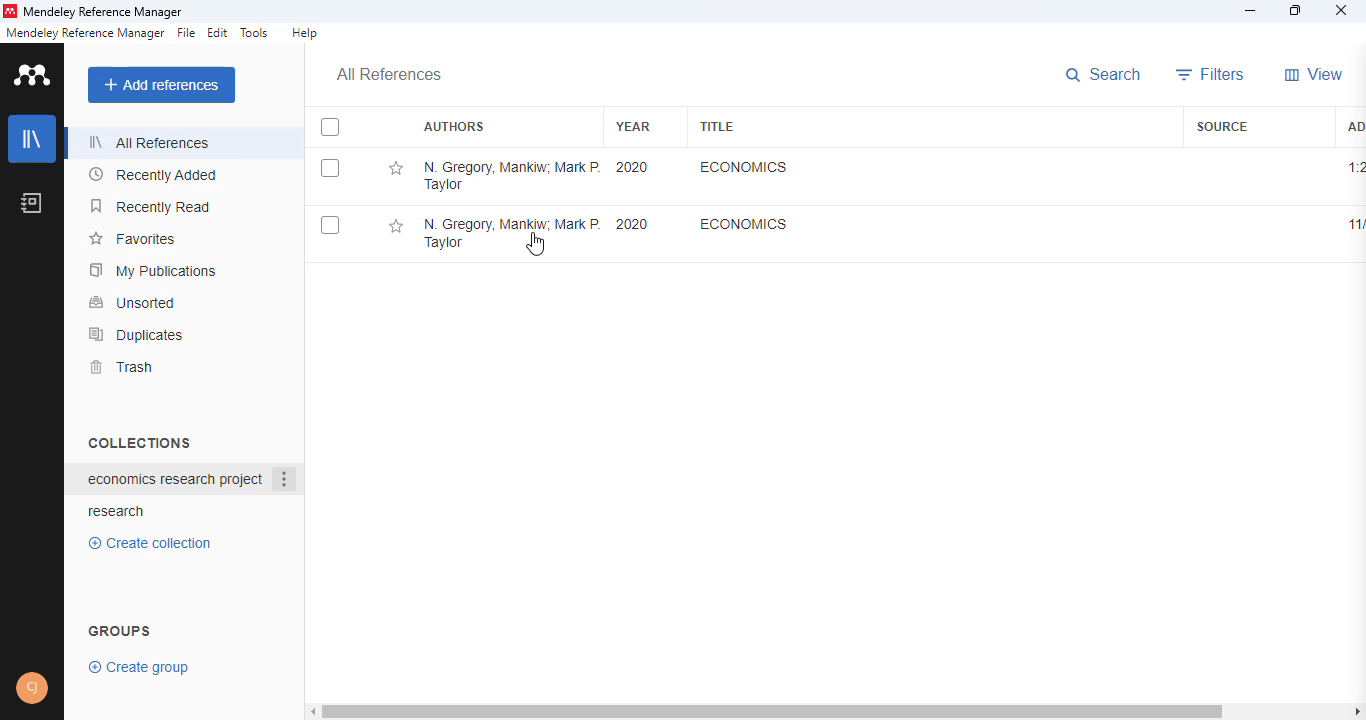 This screenshot has width=1366, height=720. What do you see at coordinates (536, 244) in the screenshot?
I see `cursor` at bounding box center [536, 244].